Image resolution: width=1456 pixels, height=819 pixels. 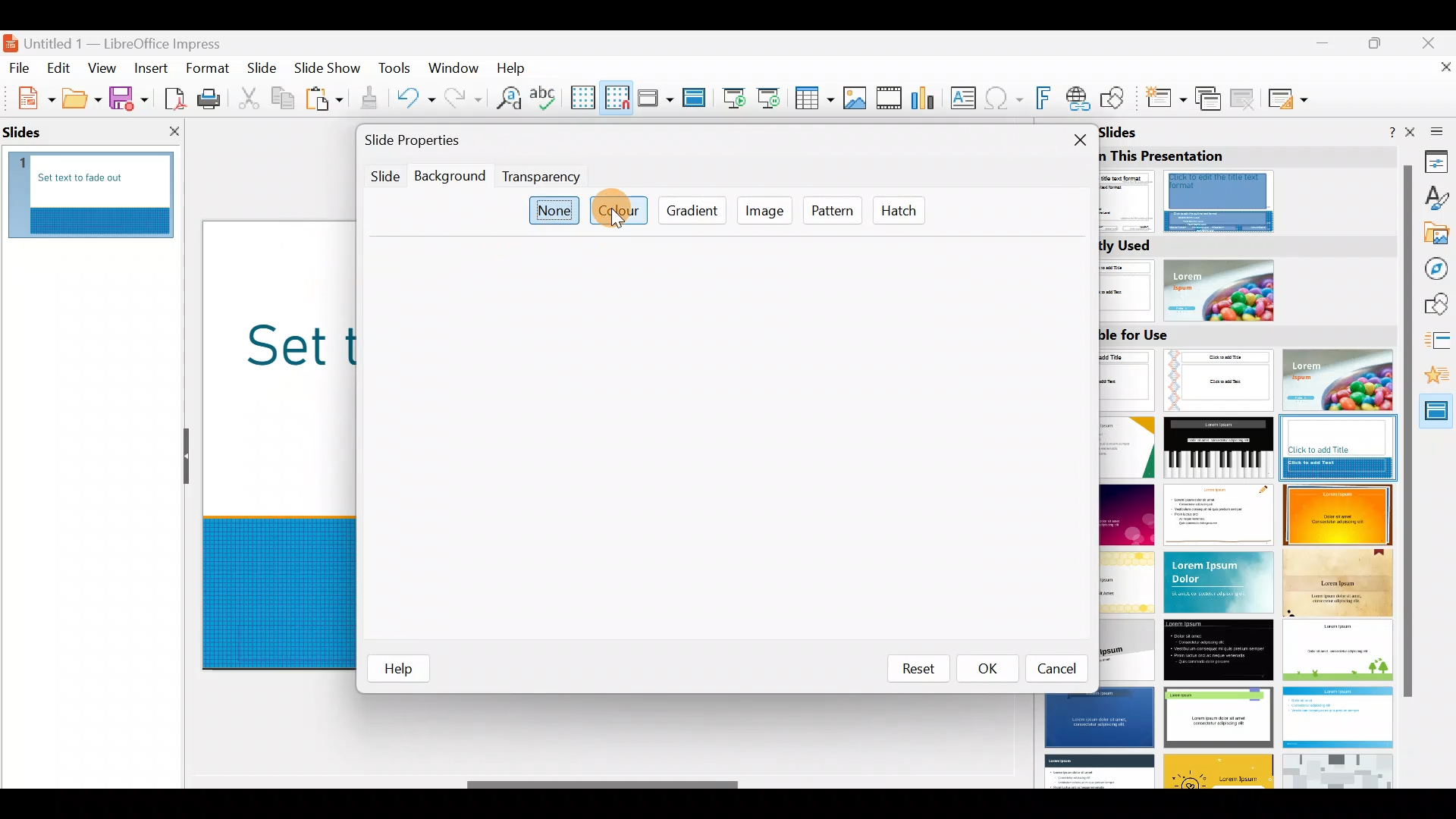 I want to click on Display grid, so click(x=582, y=96).